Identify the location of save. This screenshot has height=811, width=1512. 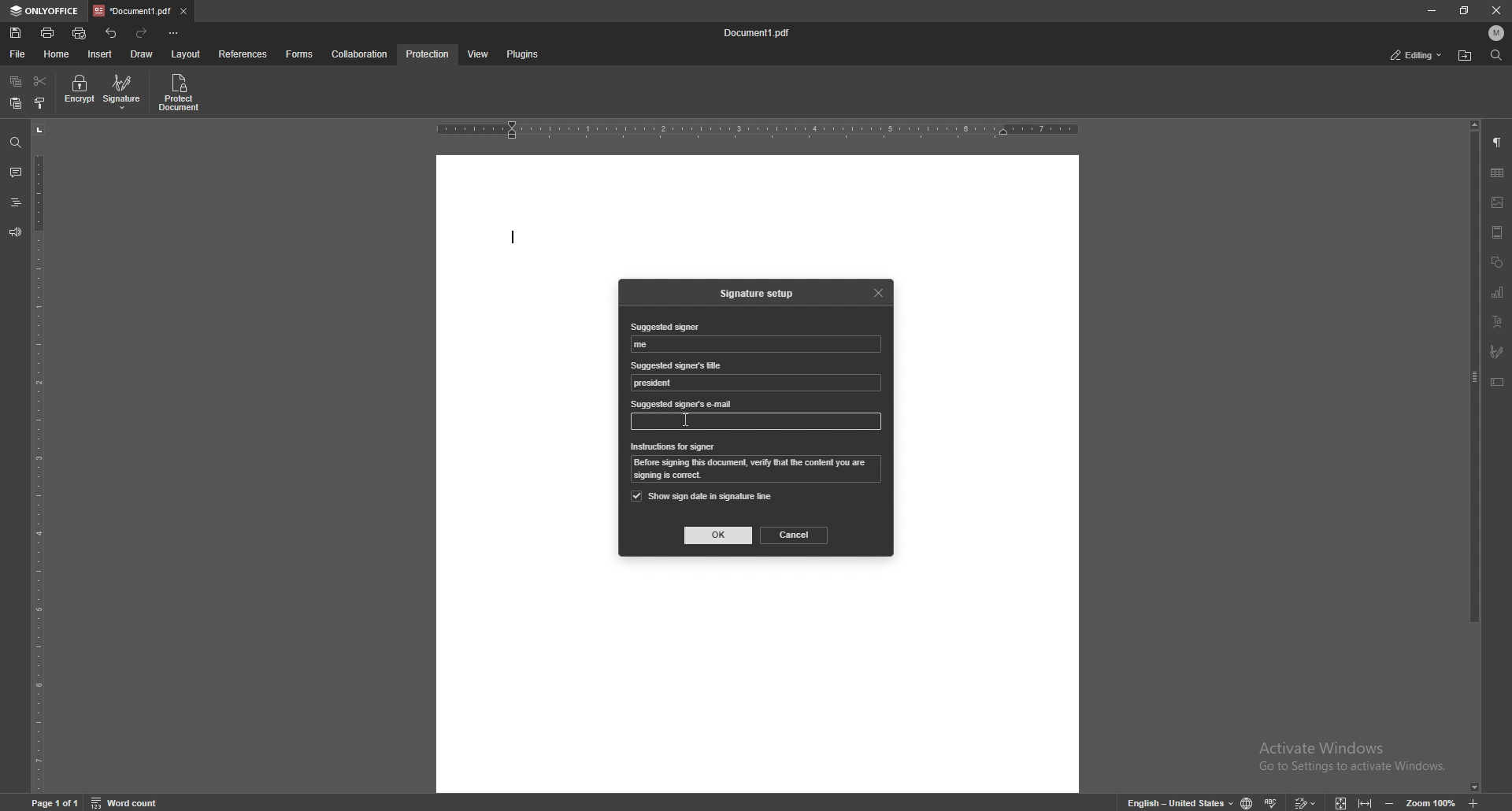
(17, 33).